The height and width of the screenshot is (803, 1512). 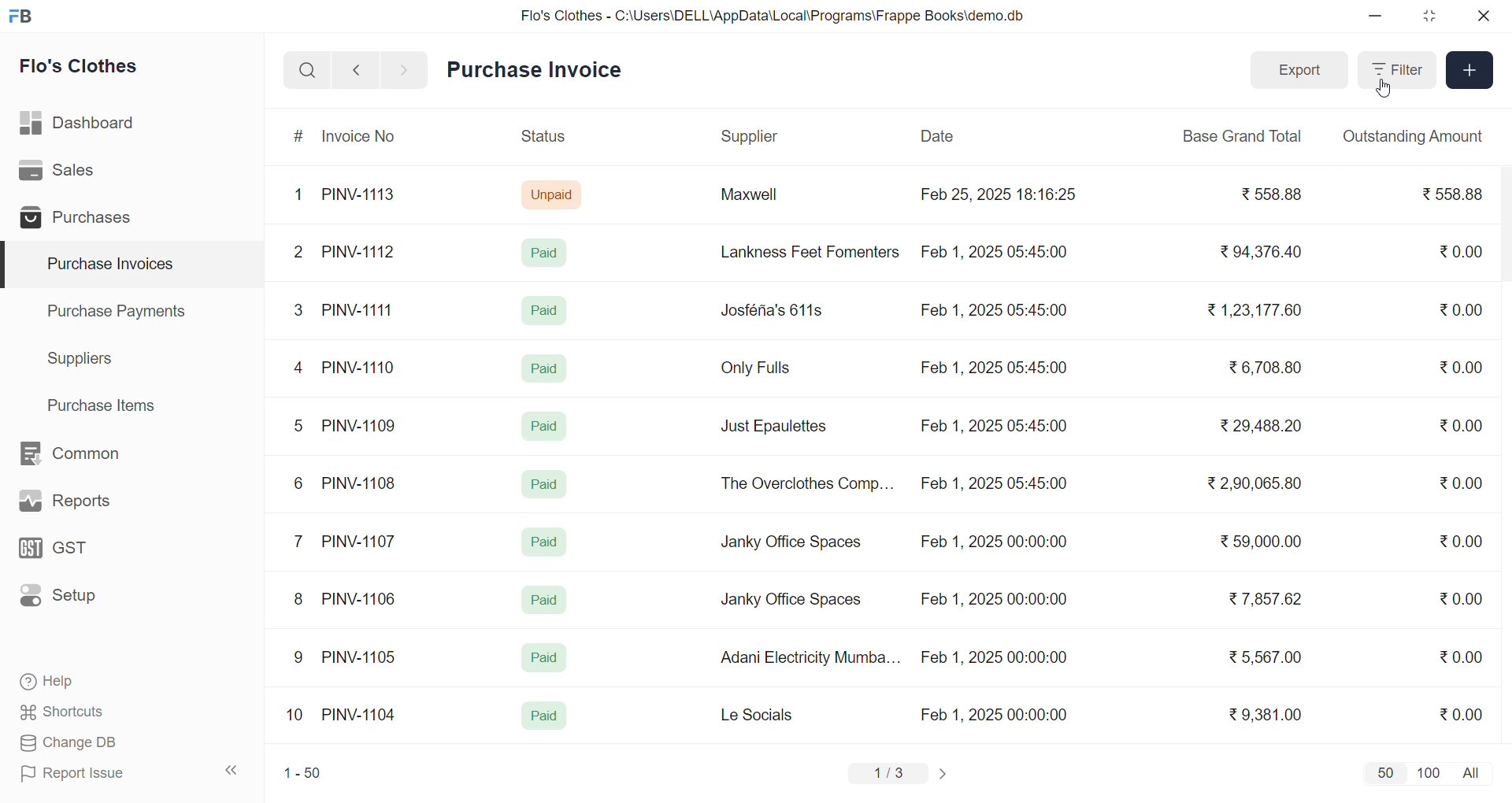 I want to click on ₹0.00, so click(x=1463, y=309).